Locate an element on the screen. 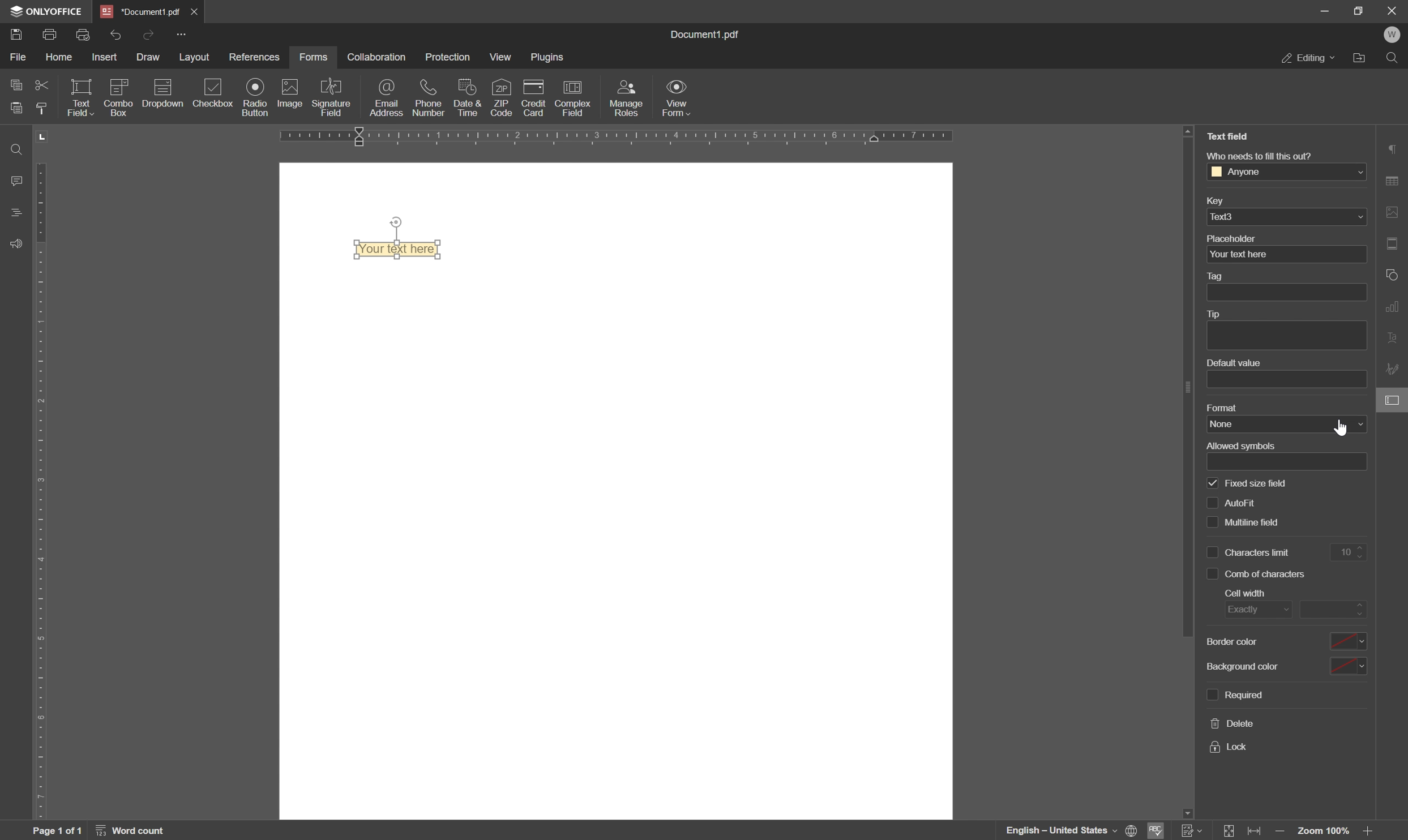 This screenshot has height=840, width=1408. file is located at coordinates (17, 57).